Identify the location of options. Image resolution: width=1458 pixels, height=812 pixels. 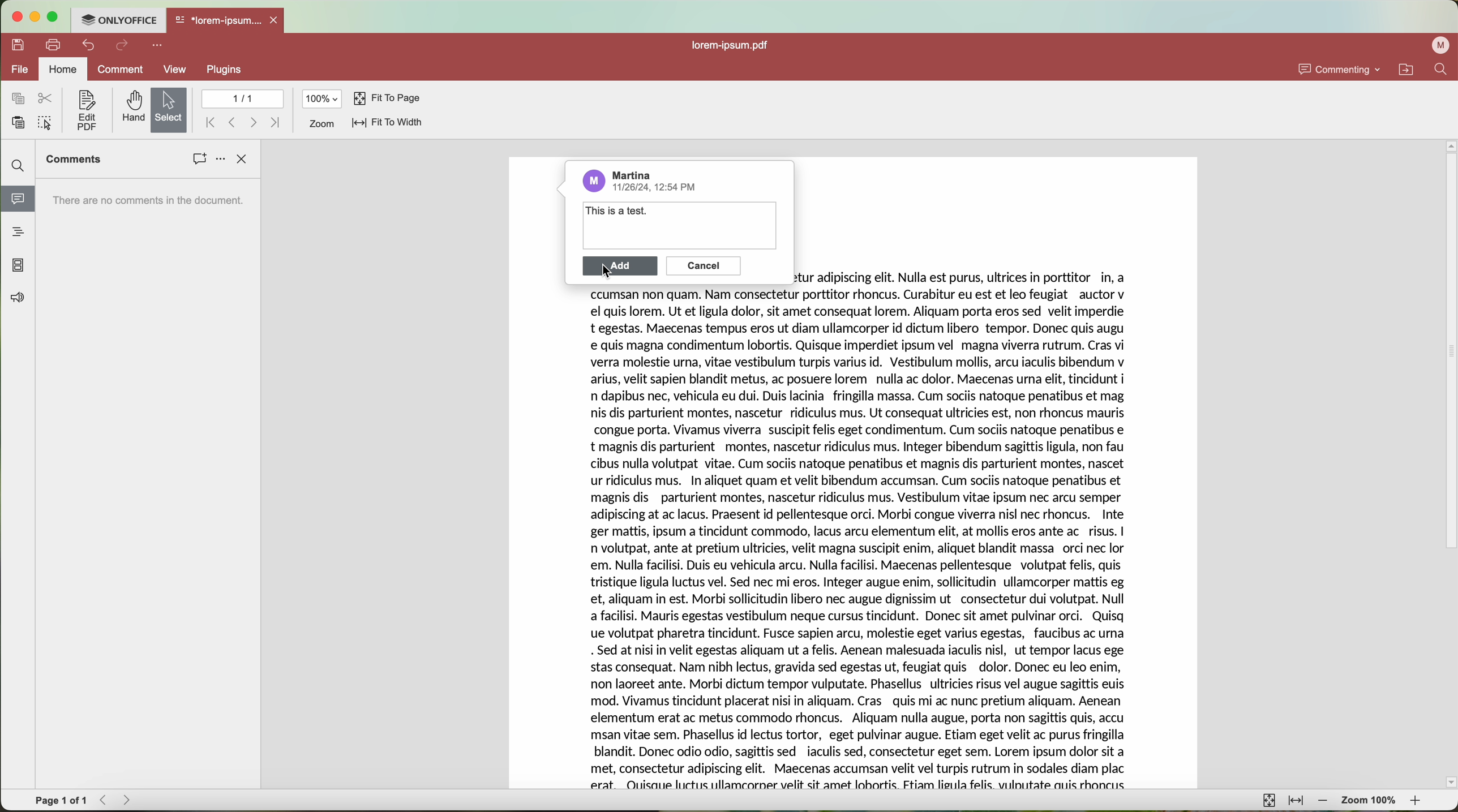
(220, 160).